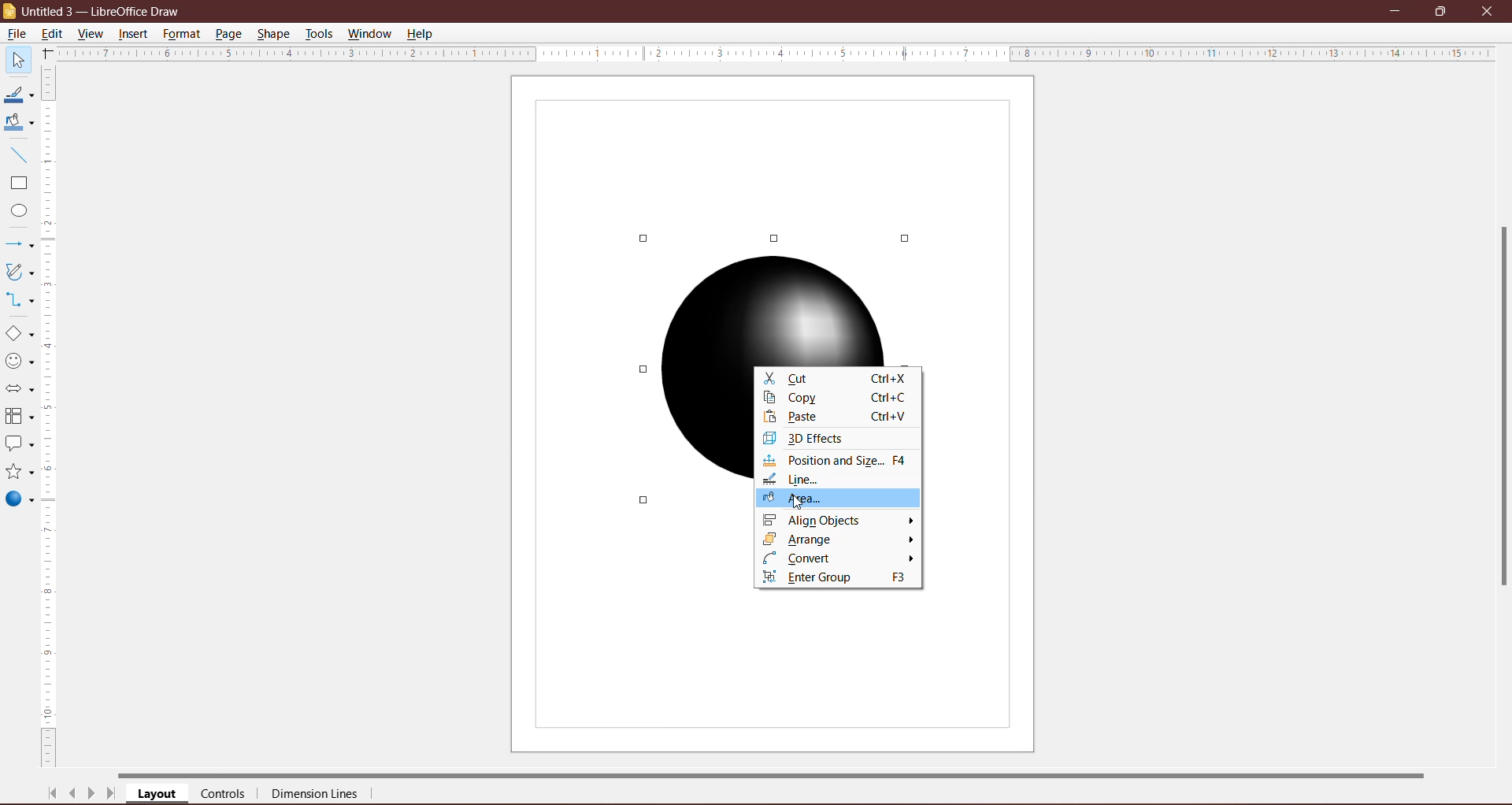  Describe the element at coordinates (53, 793) in the screenshot. I see `Scroll to first page` at that location.